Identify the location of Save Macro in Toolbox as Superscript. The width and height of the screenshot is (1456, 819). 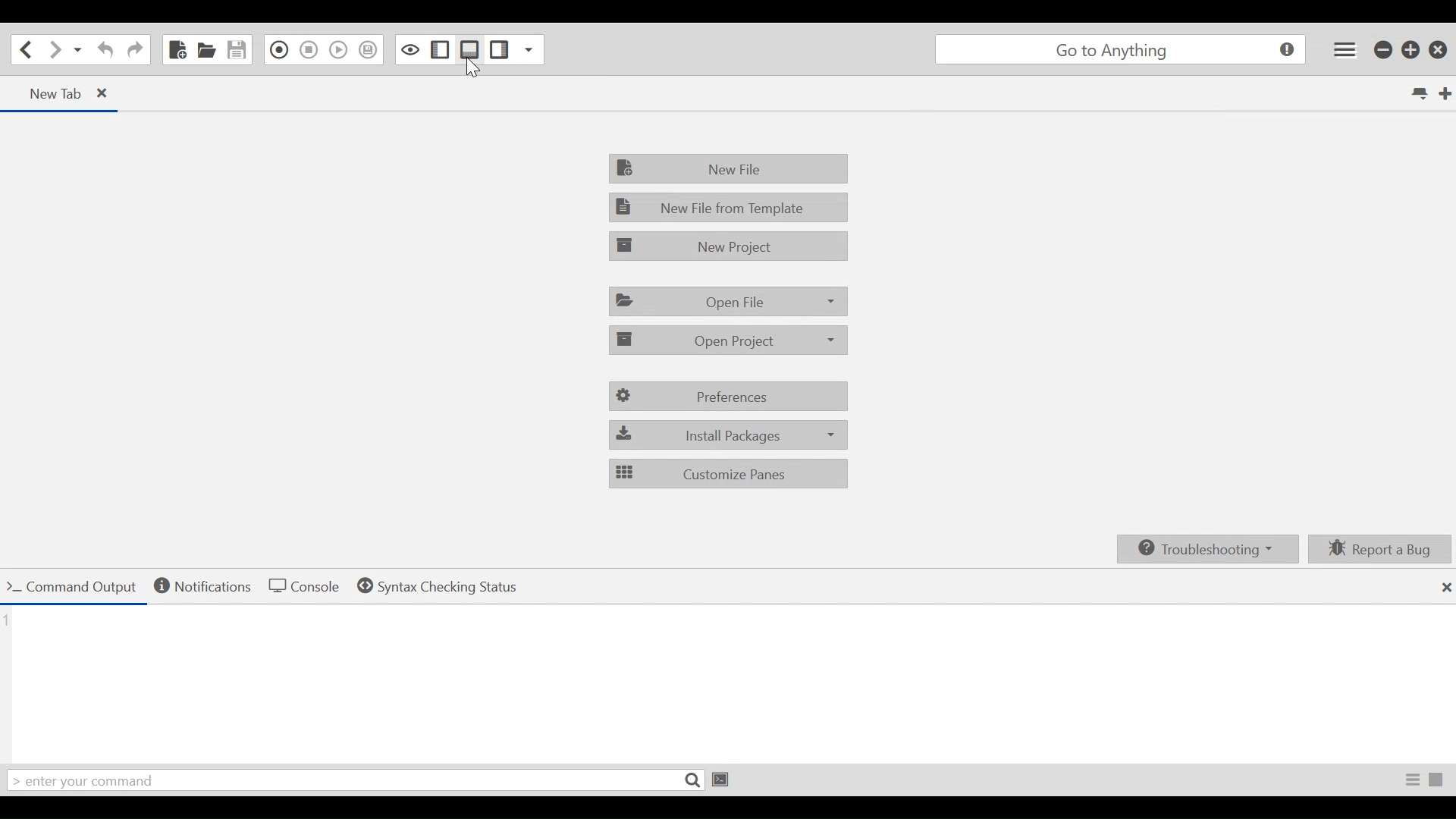
(369, 50).